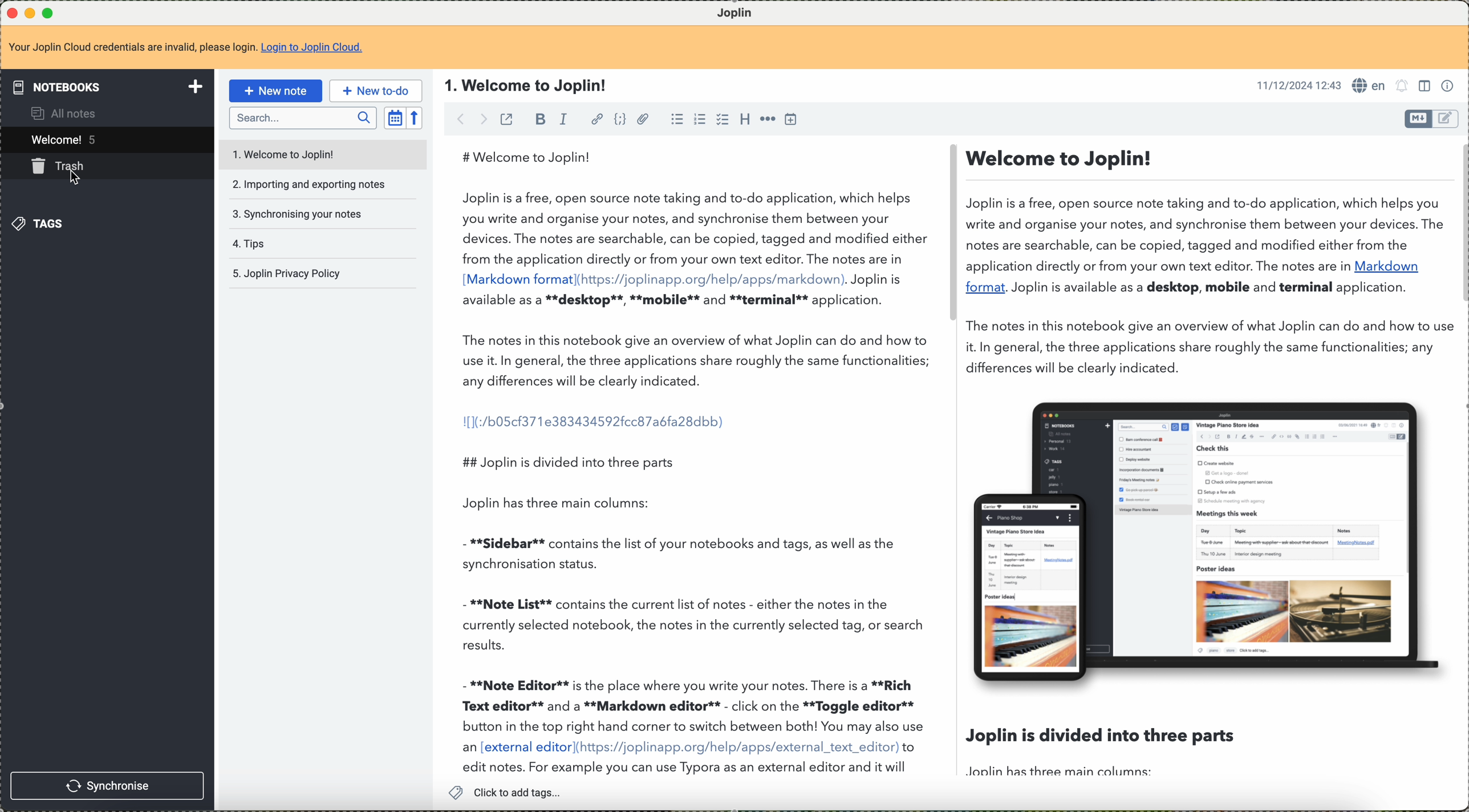 The image size is (1469, 812). What do you see at coordinates (302, 116) in the screenshot?
I see `search bar` at bounding box center [302, 116].